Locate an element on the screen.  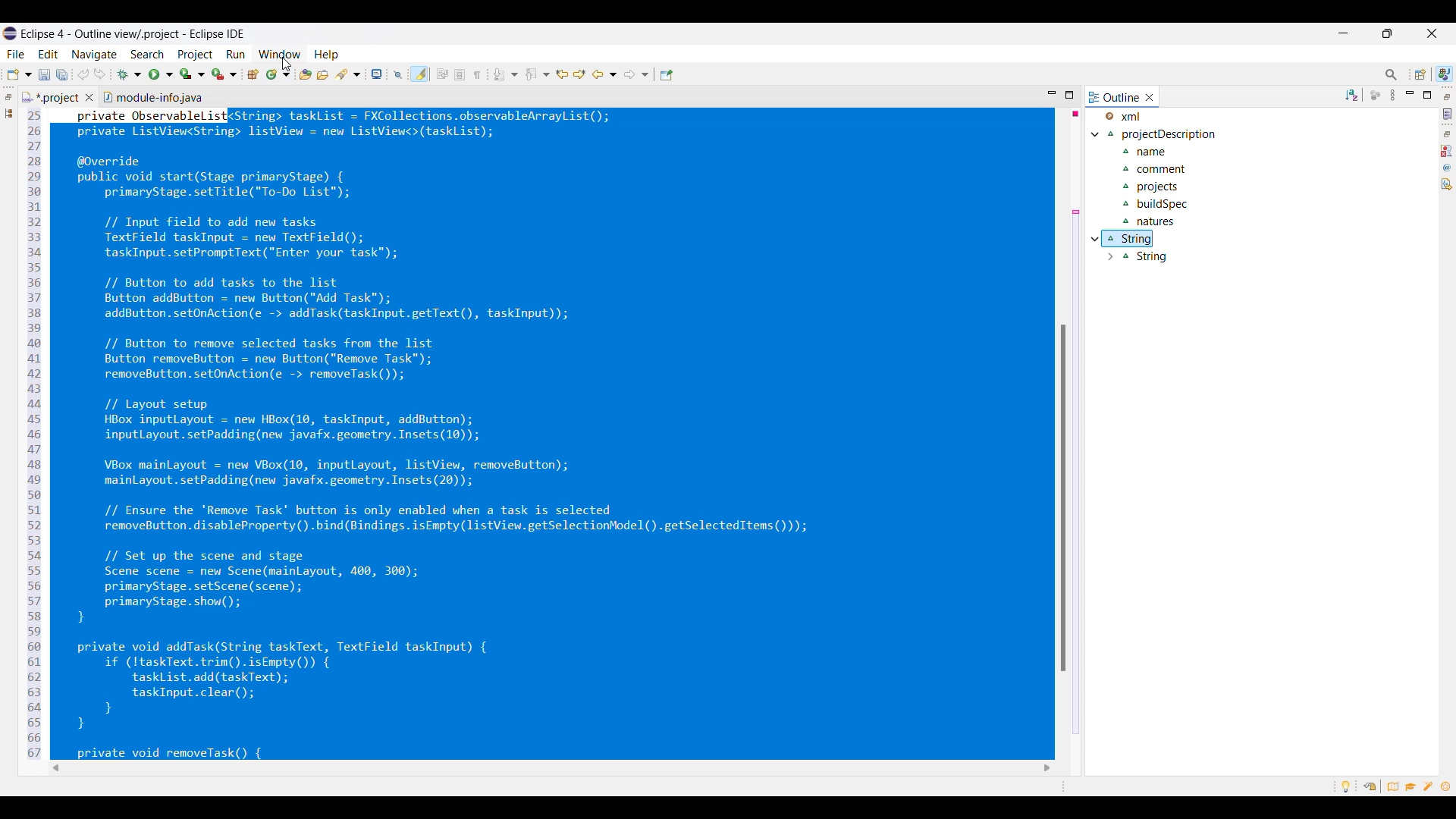
Search options is located at coordinates (347, 74).